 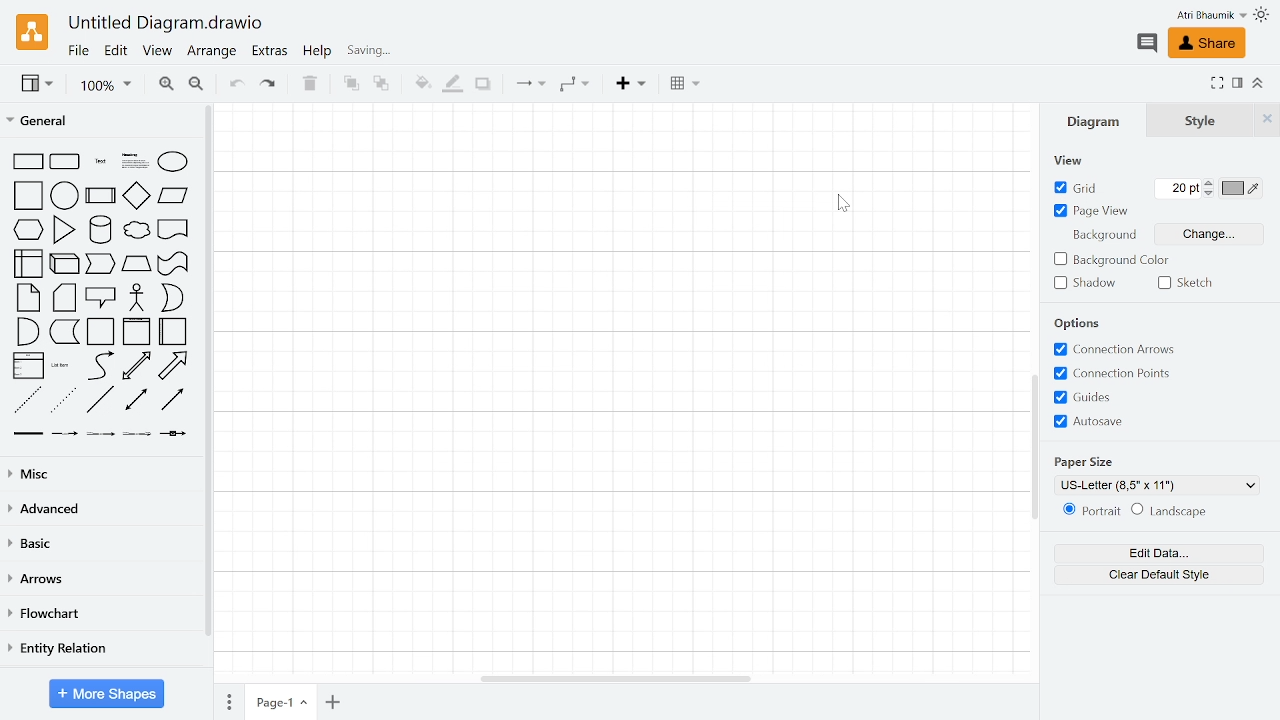 What do you see at coordinates (237, 86) in the screenshot?
I see `Undo` at bounding box center [237, 86].